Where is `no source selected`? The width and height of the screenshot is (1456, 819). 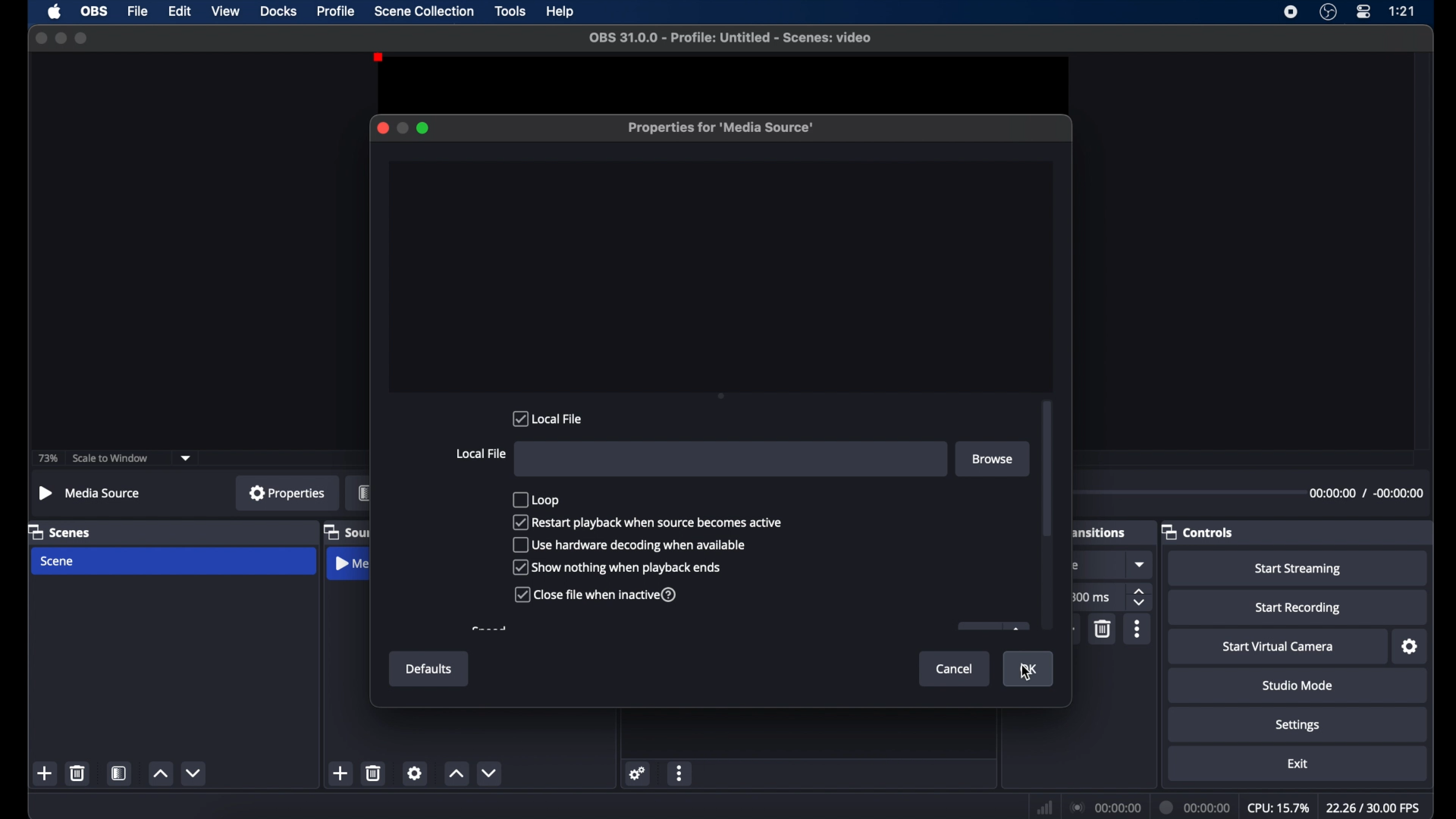
no source selected is located at coordinates (92, 492).